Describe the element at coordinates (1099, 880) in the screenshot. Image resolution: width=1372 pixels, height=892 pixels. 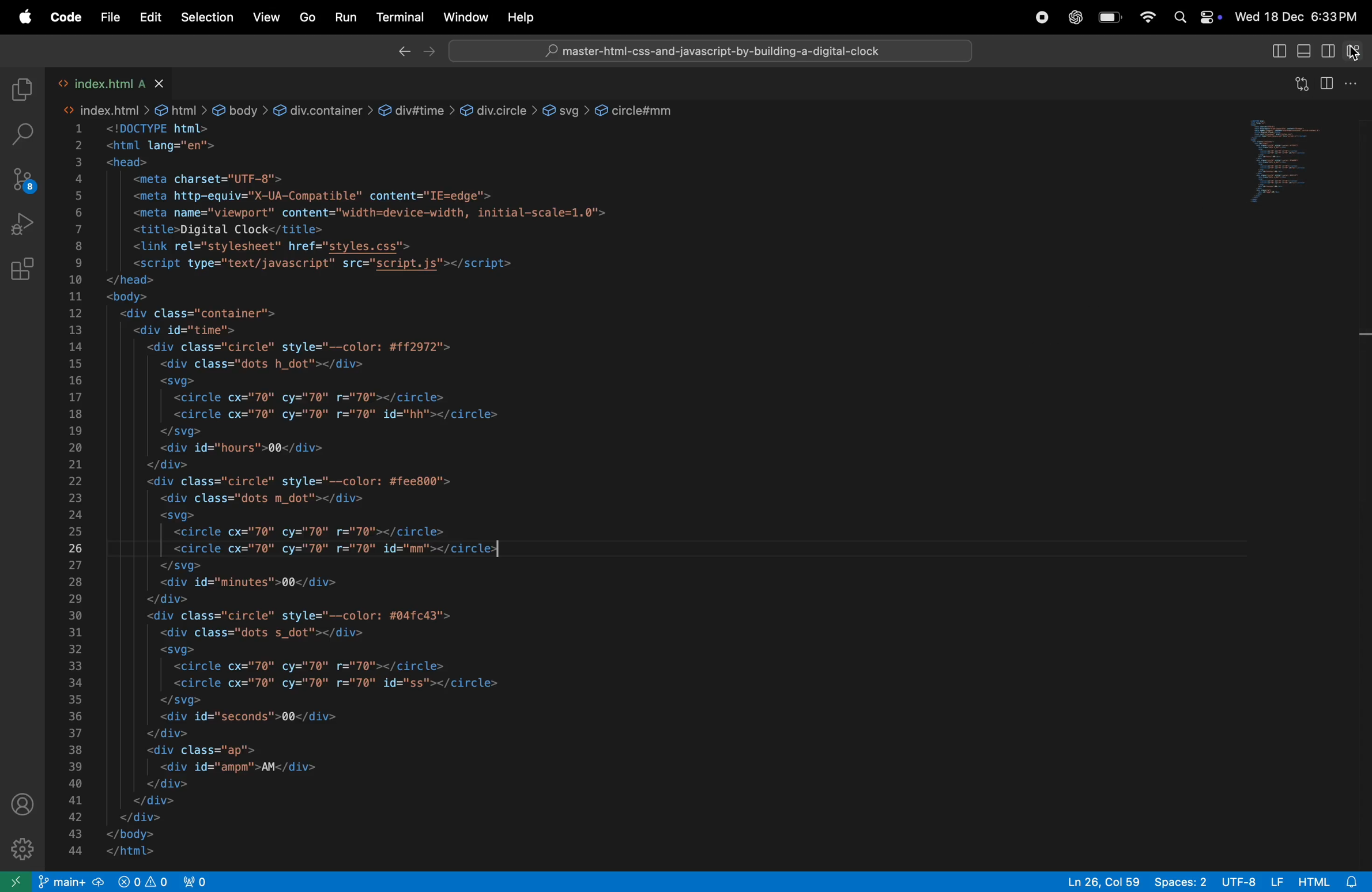
I see `ln 26, col 59 ` at that location.